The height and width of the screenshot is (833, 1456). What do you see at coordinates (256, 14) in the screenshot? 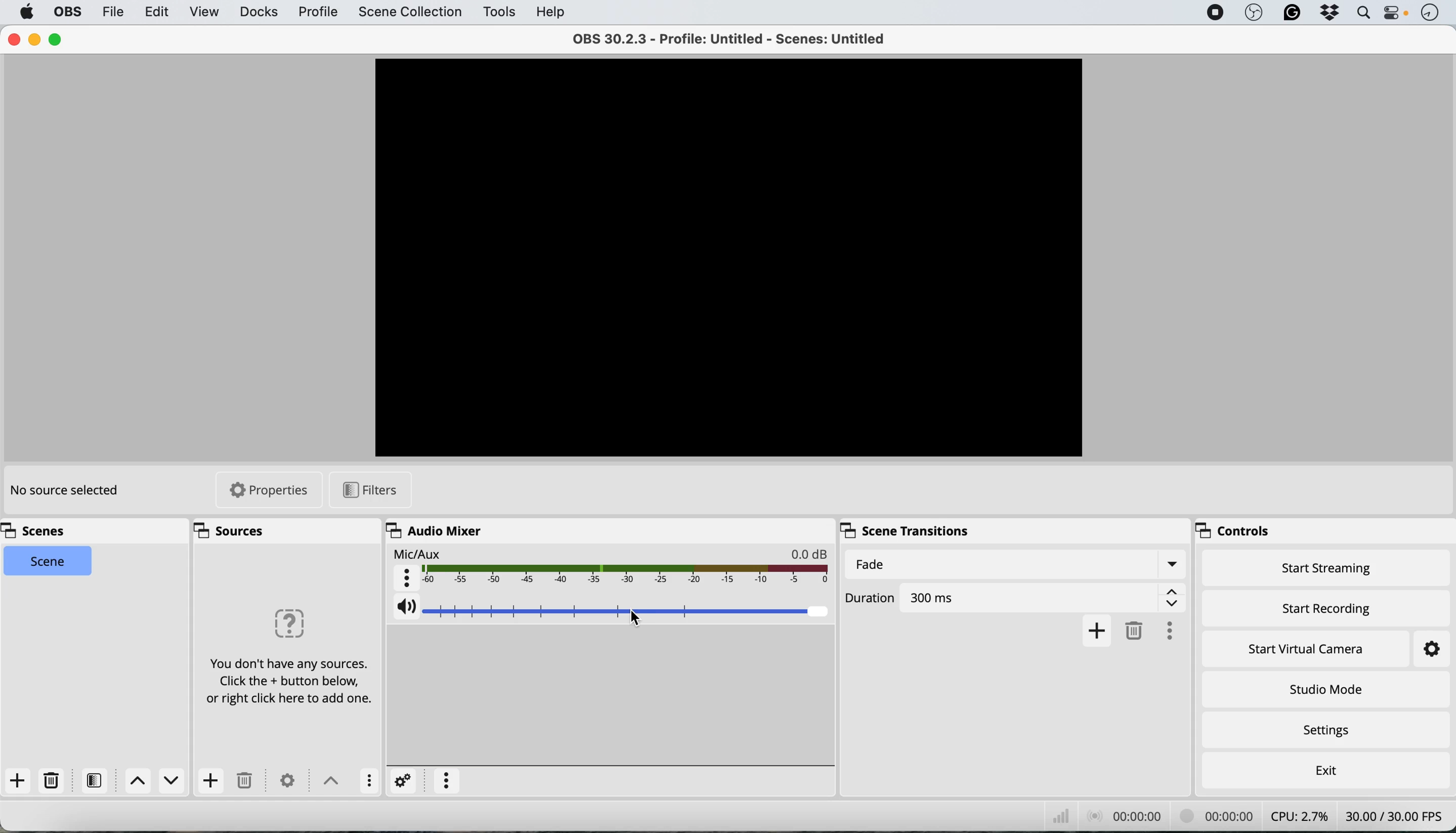
I see `docks` at bounding box center [256, 14].